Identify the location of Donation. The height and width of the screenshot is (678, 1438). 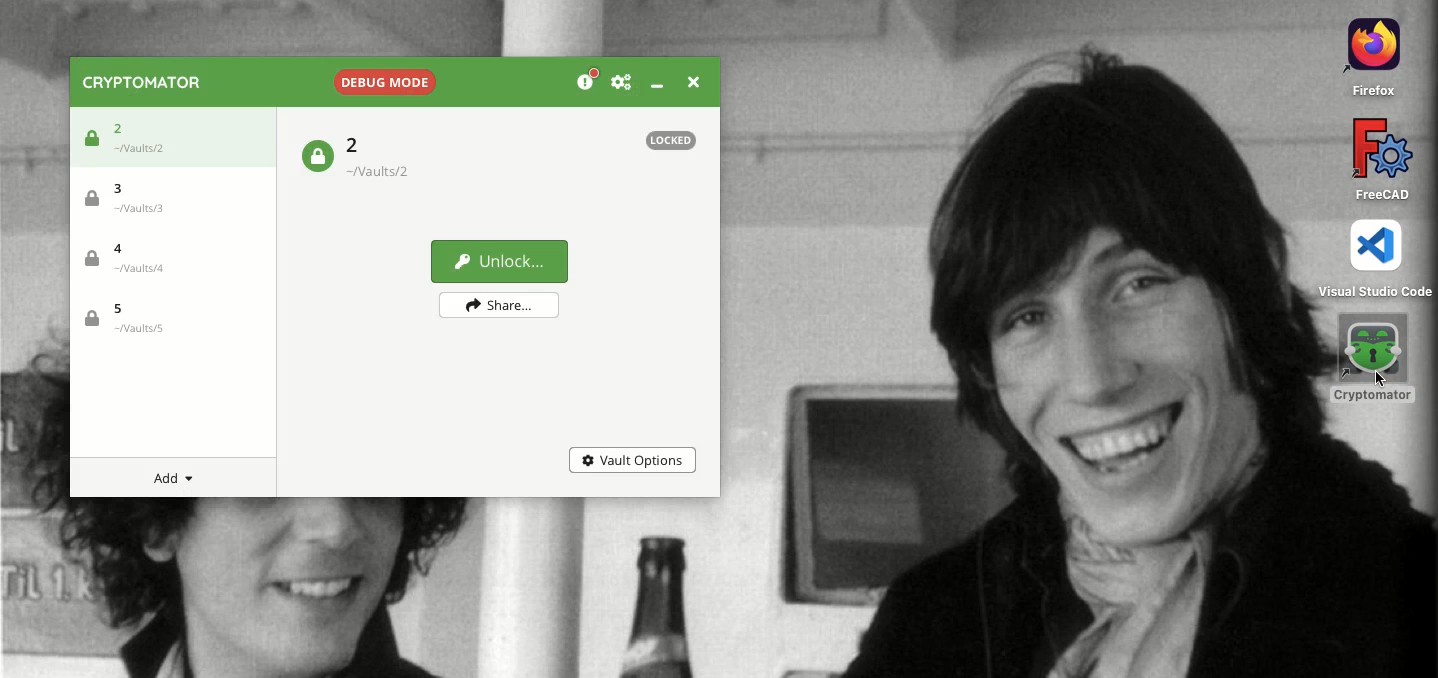
(586, 82).